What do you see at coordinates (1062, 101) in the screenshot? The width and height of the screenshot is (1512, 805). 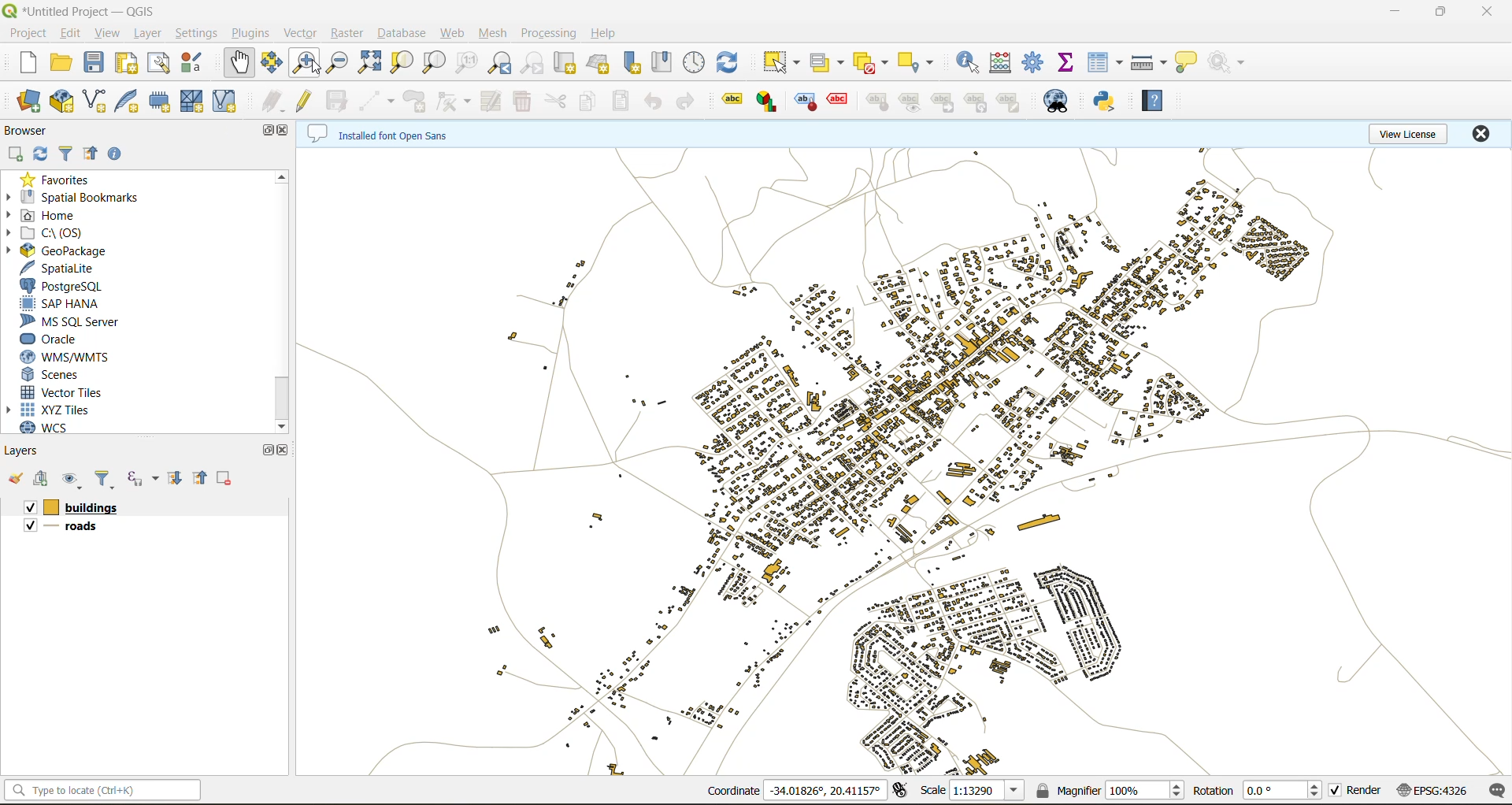 I see `metasearch` at bounding box center [1062, 101].